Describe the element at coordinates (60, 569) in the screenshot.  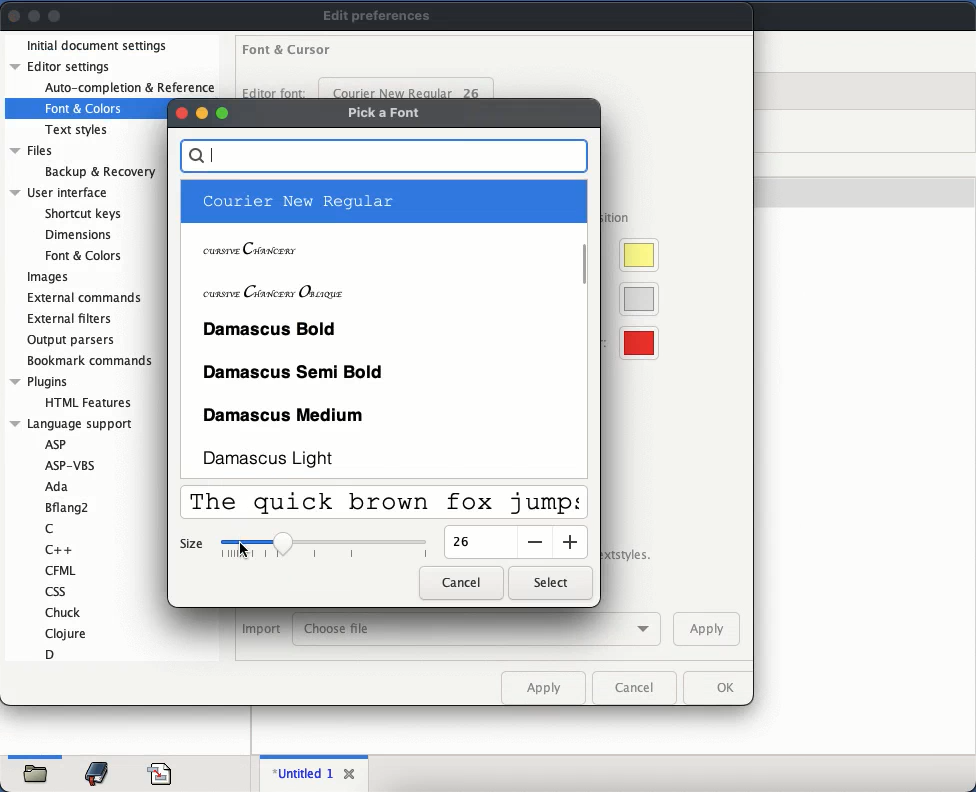
I see `CFML` at that location.